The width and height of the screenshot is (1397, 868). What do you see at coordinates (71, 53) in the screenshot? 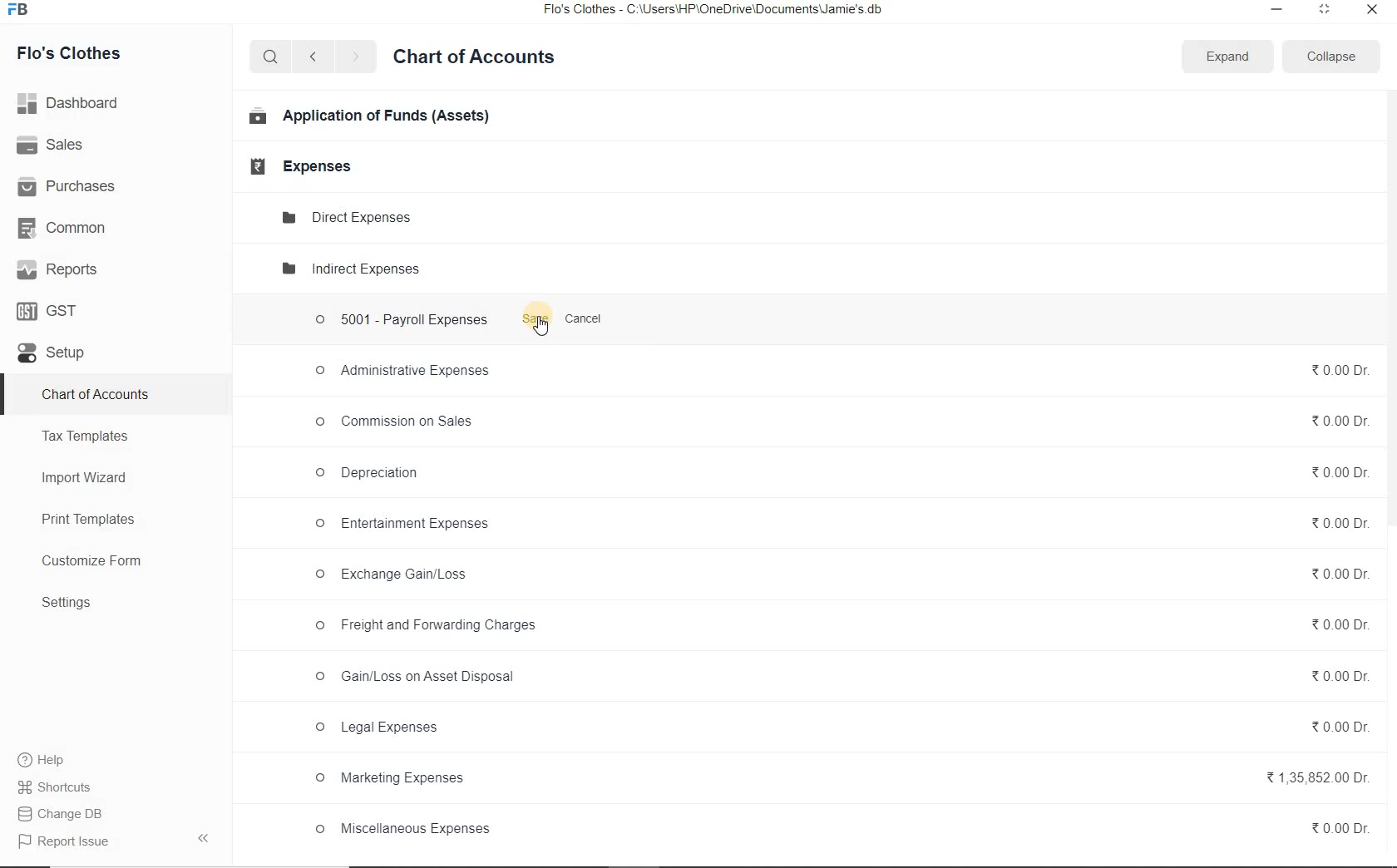
I see `Flo's Clothes` at bounding box center [71, 53].